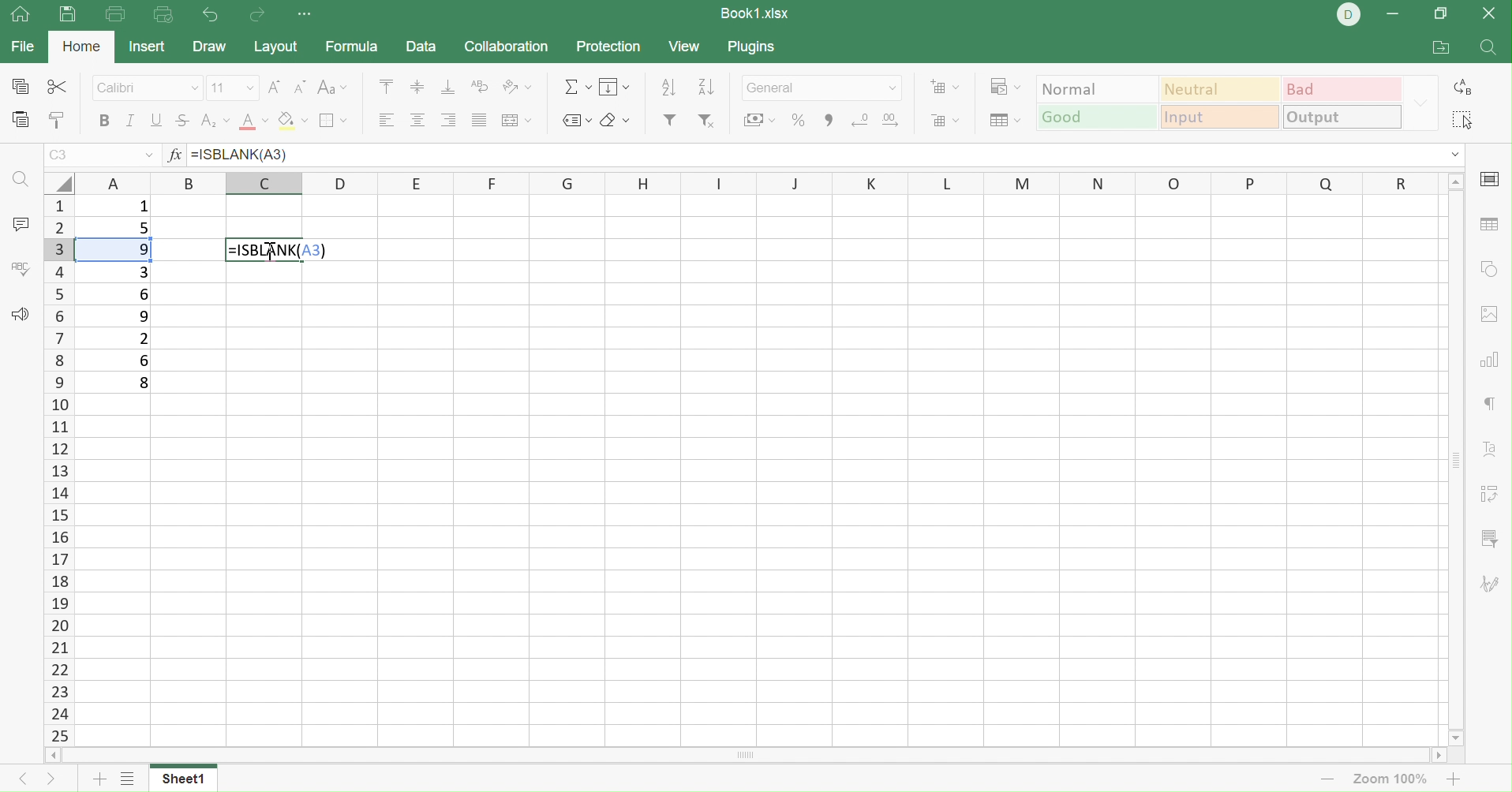 The image size is (1512, 792). Describe the element at coordinates (102, 120) in the screenshot. I see `Bold` at that location.